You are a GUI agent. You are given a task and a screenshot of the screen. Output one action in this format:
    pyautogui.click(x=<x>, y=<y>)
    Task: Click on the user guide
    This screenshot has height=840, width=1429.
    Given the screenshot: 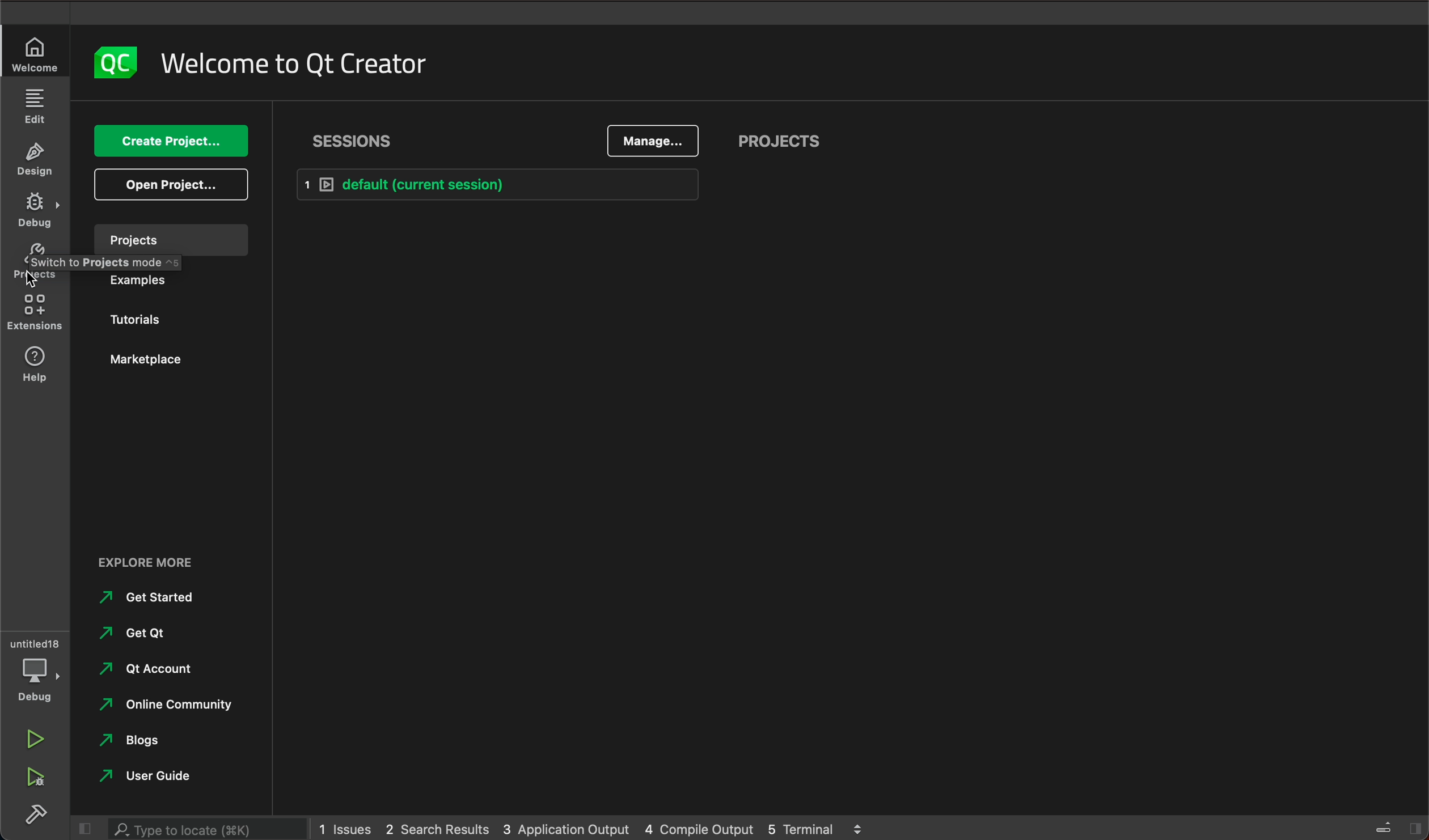 What is the action you would take?
    pyautogui.click(x=150, y=778)
    